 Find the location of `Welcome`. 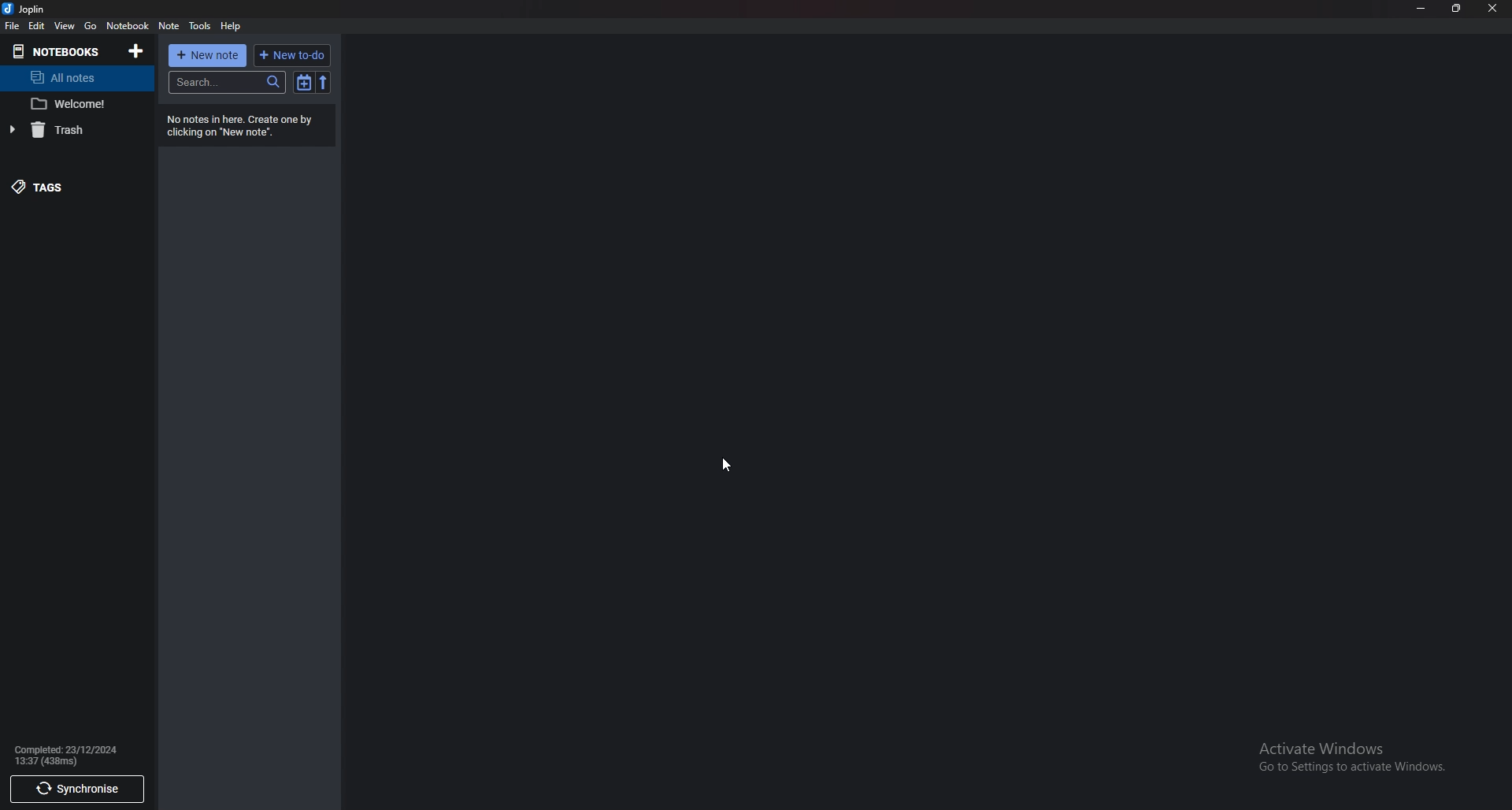

Welcome is located at coordinates (81, 103).